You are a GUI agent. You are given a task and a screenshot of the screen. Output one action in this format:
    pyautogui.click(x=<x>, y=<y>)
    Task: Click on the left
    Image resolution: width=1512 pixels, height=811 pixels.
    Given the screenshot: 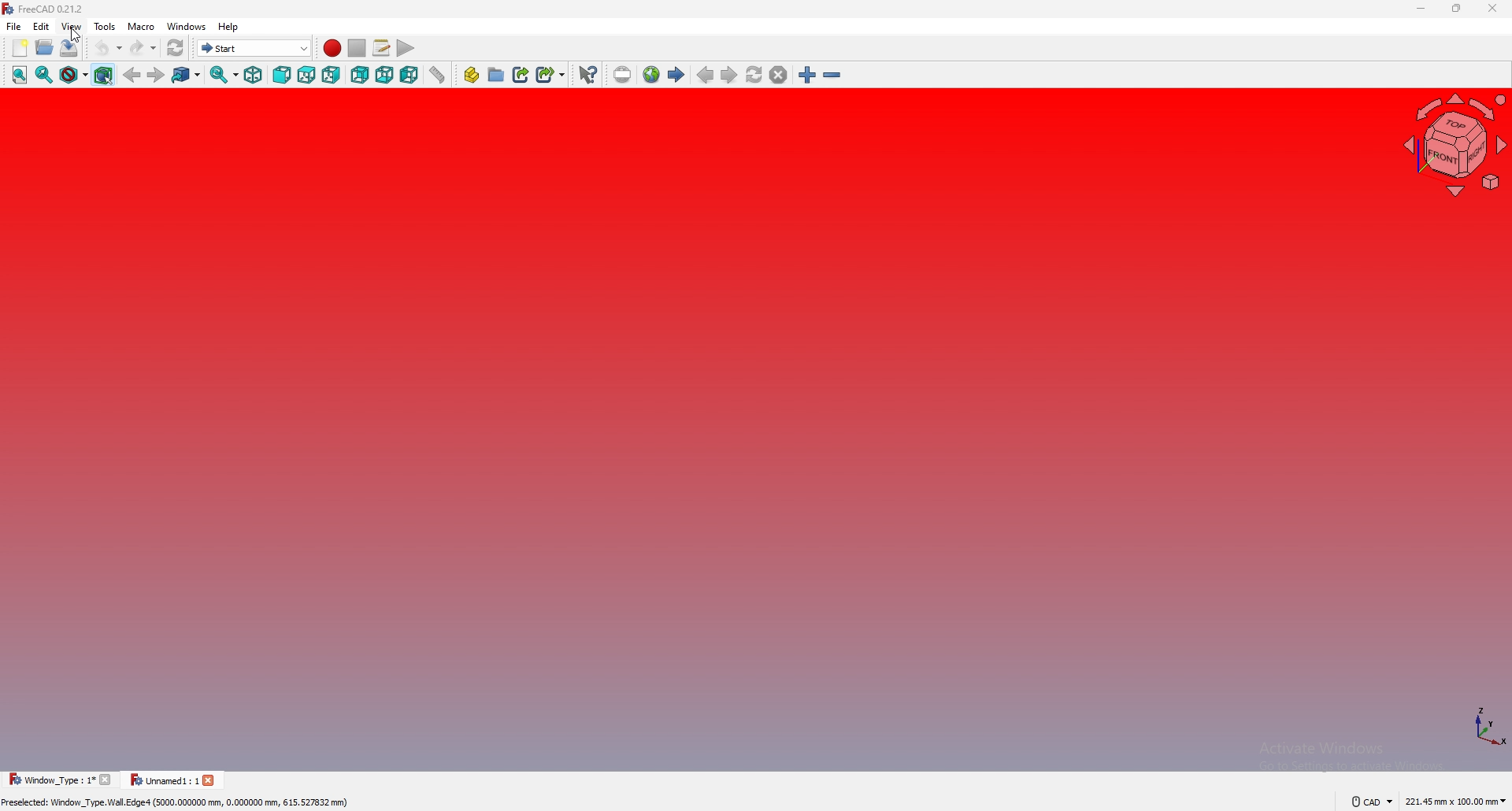 What is the action you would take?
    pyautogui.click(x=409, y=75)
    